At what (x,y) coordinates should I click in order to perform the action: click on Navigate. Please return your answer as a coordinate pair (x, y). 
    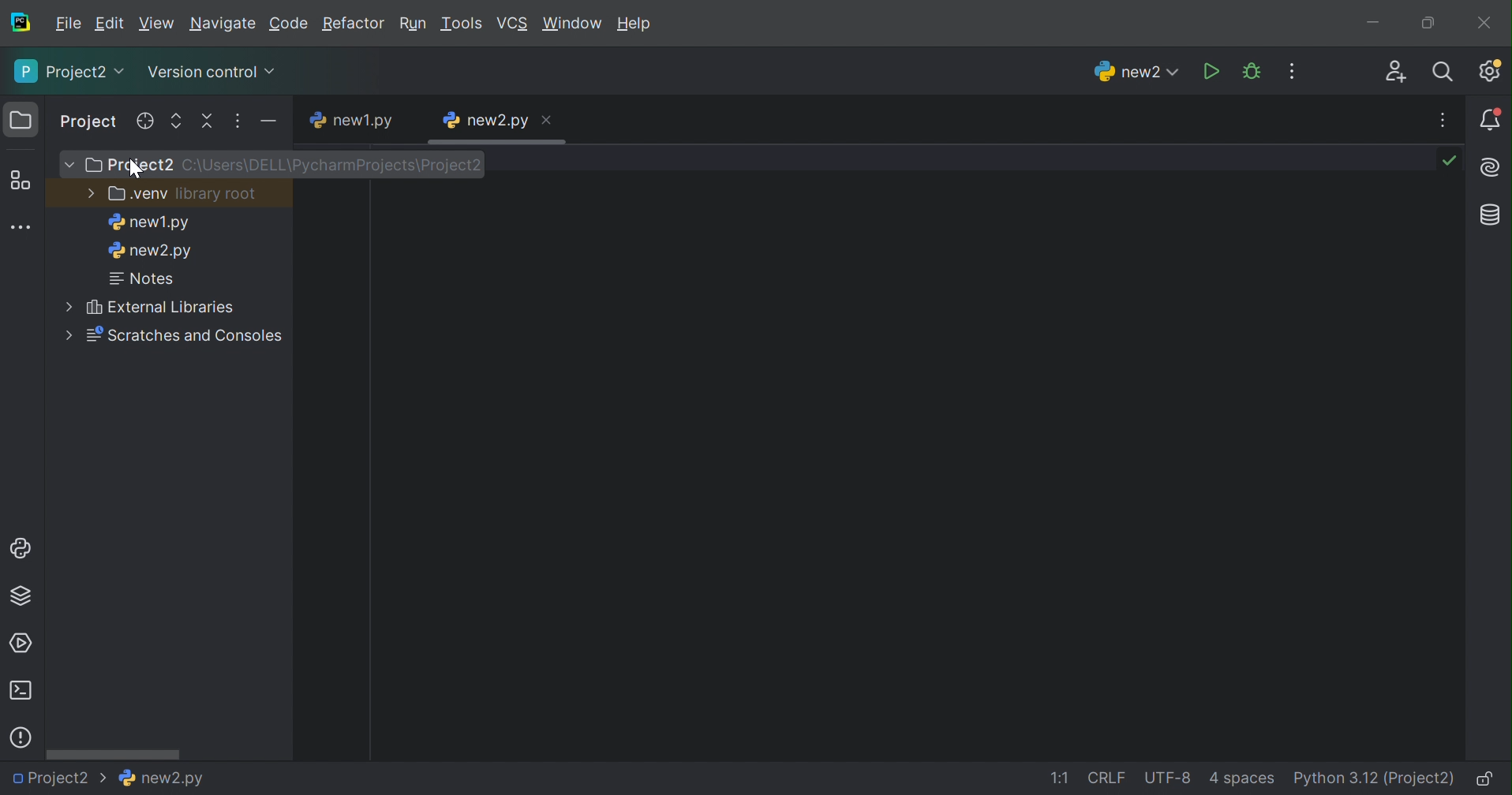
    Looking at the image, I should click on (225, 24).